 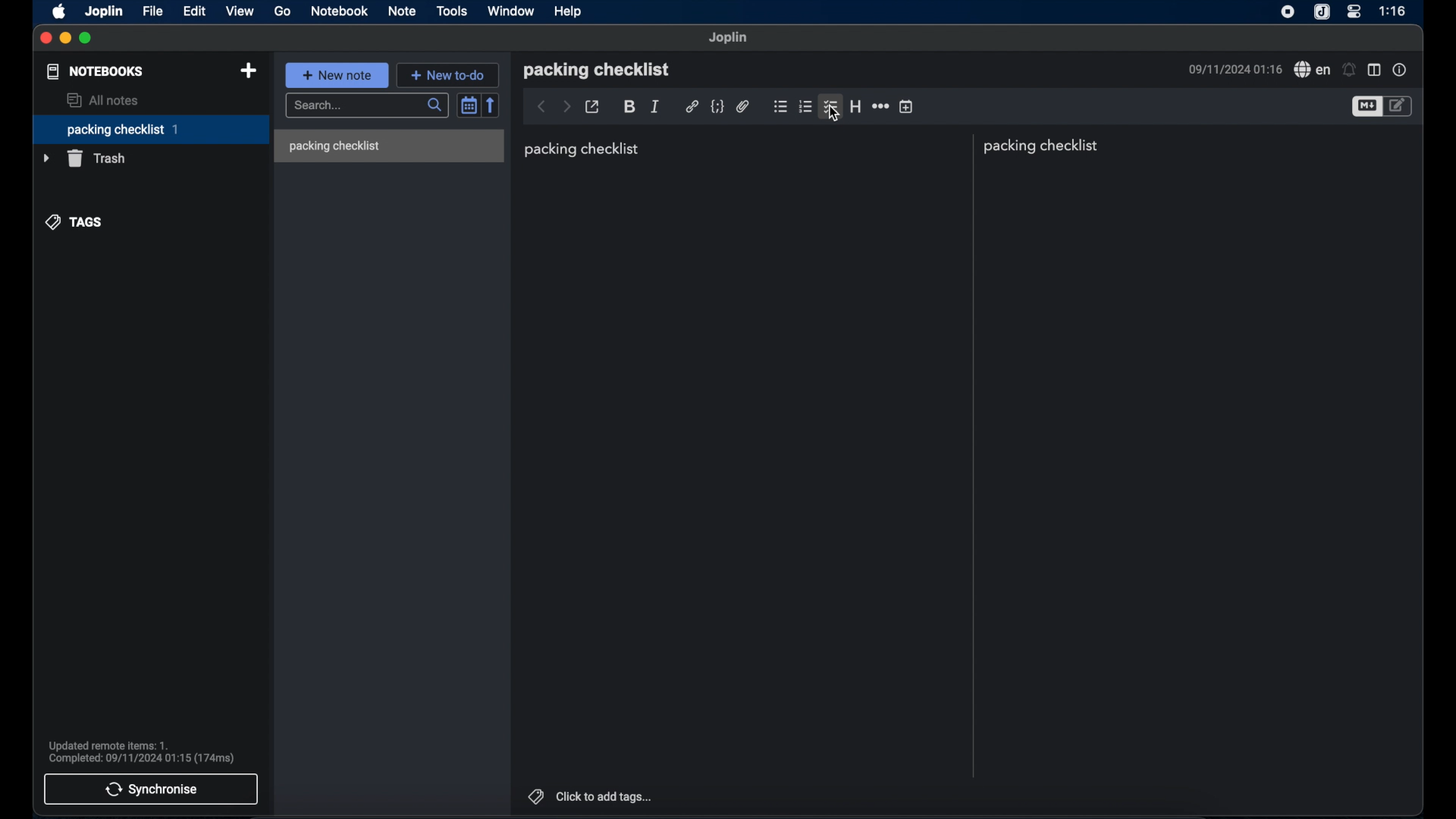 I want to click on new notebook, so click(x=248, y=71).